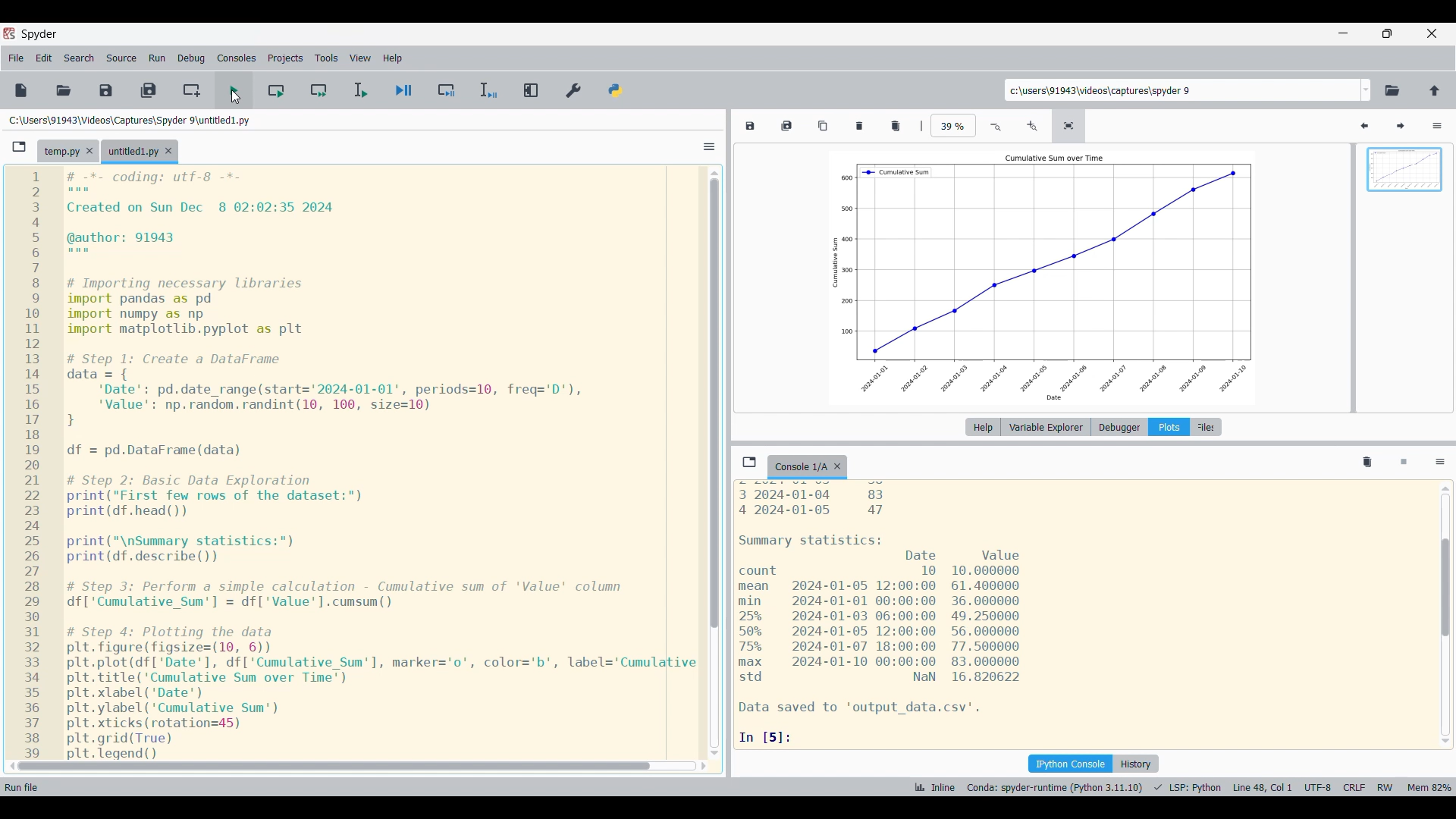  What do you see at coordinates (361, 58) in the screenshot?
I see `View menu ` at bounding box center [361, 58].